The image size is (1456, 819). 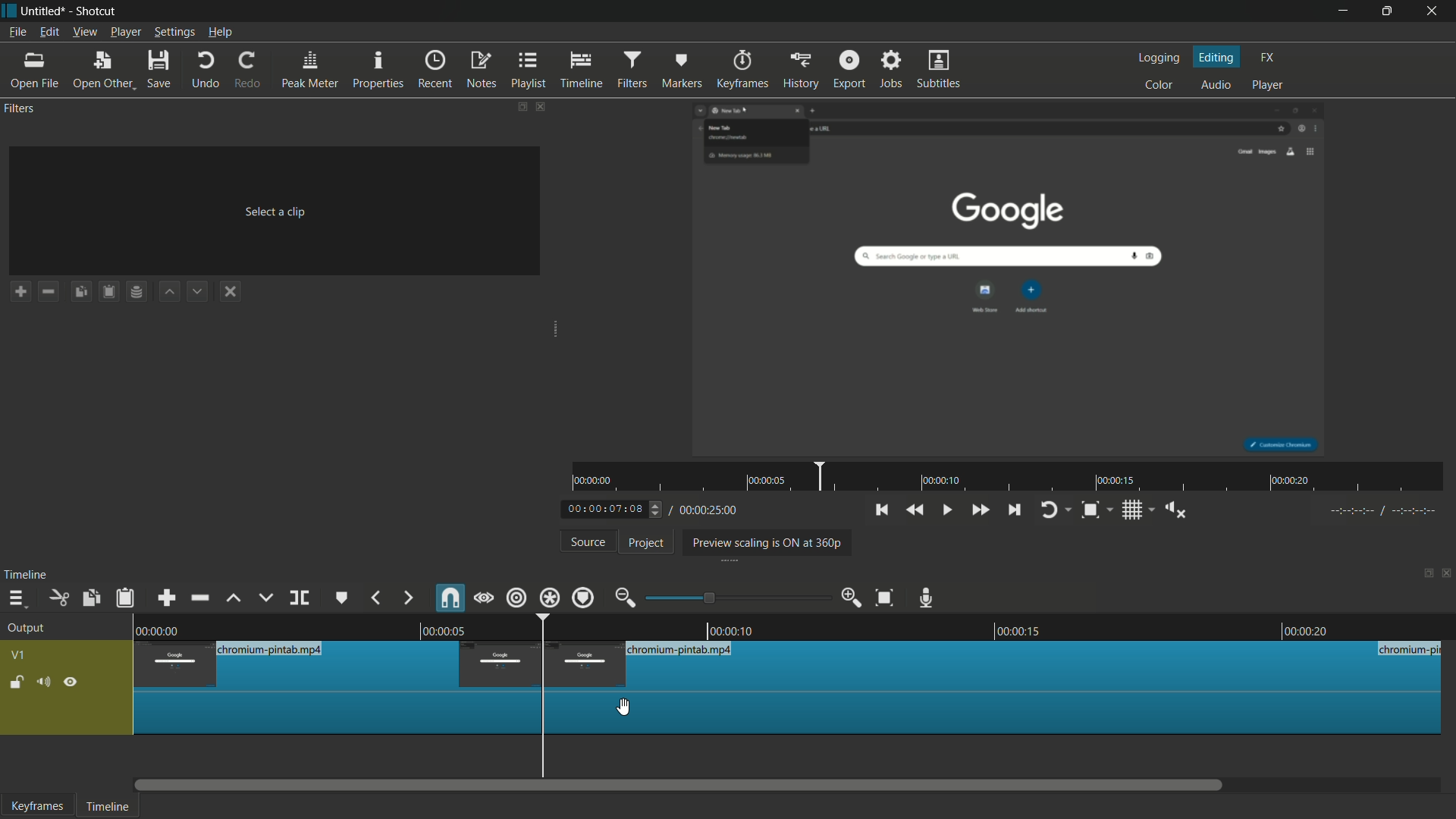 I want to click on subtitles, so click(x=940, y=68).